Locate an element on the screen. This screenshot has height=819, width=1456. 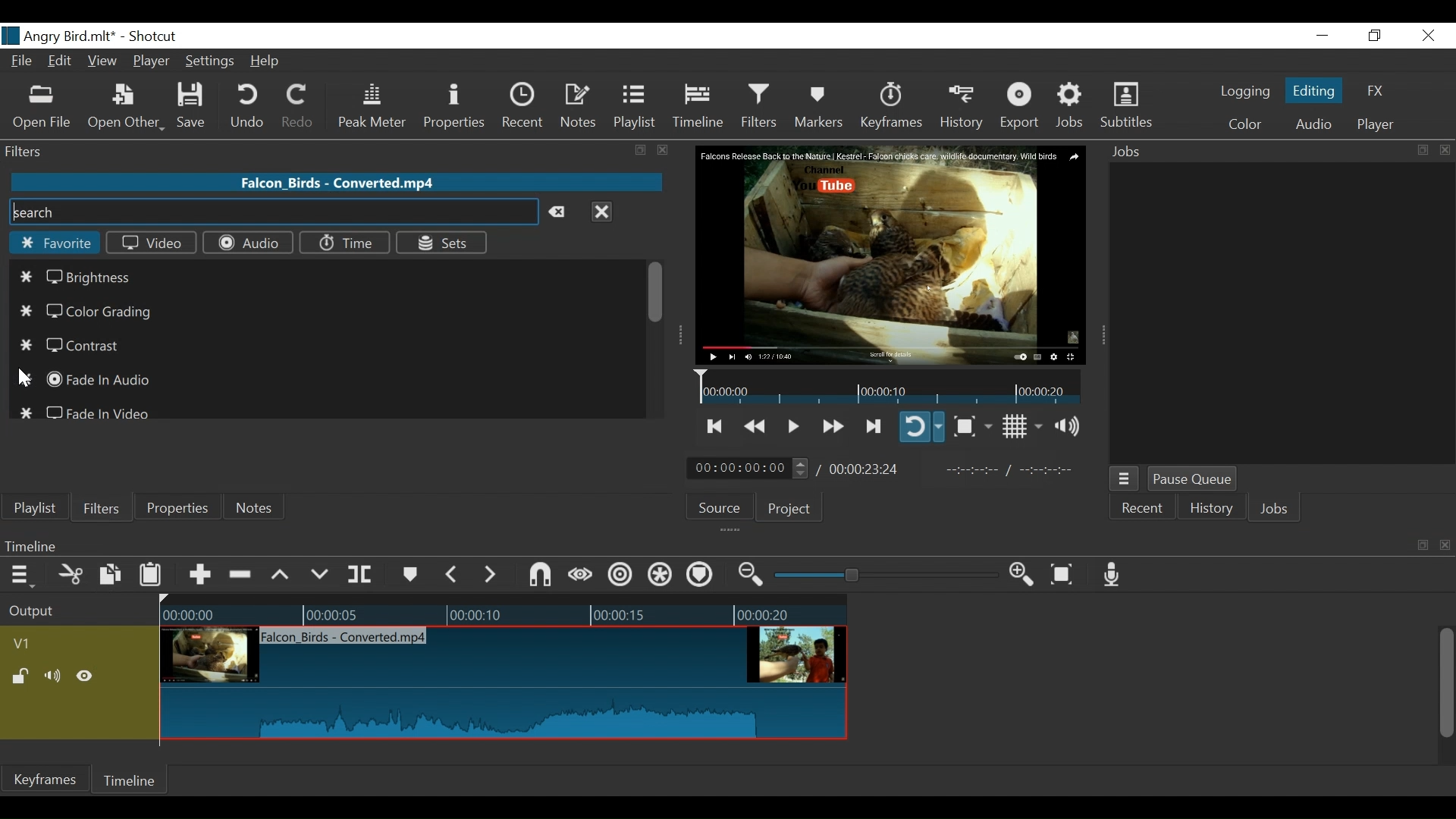
Timeline is located at coordinates (890, 386).